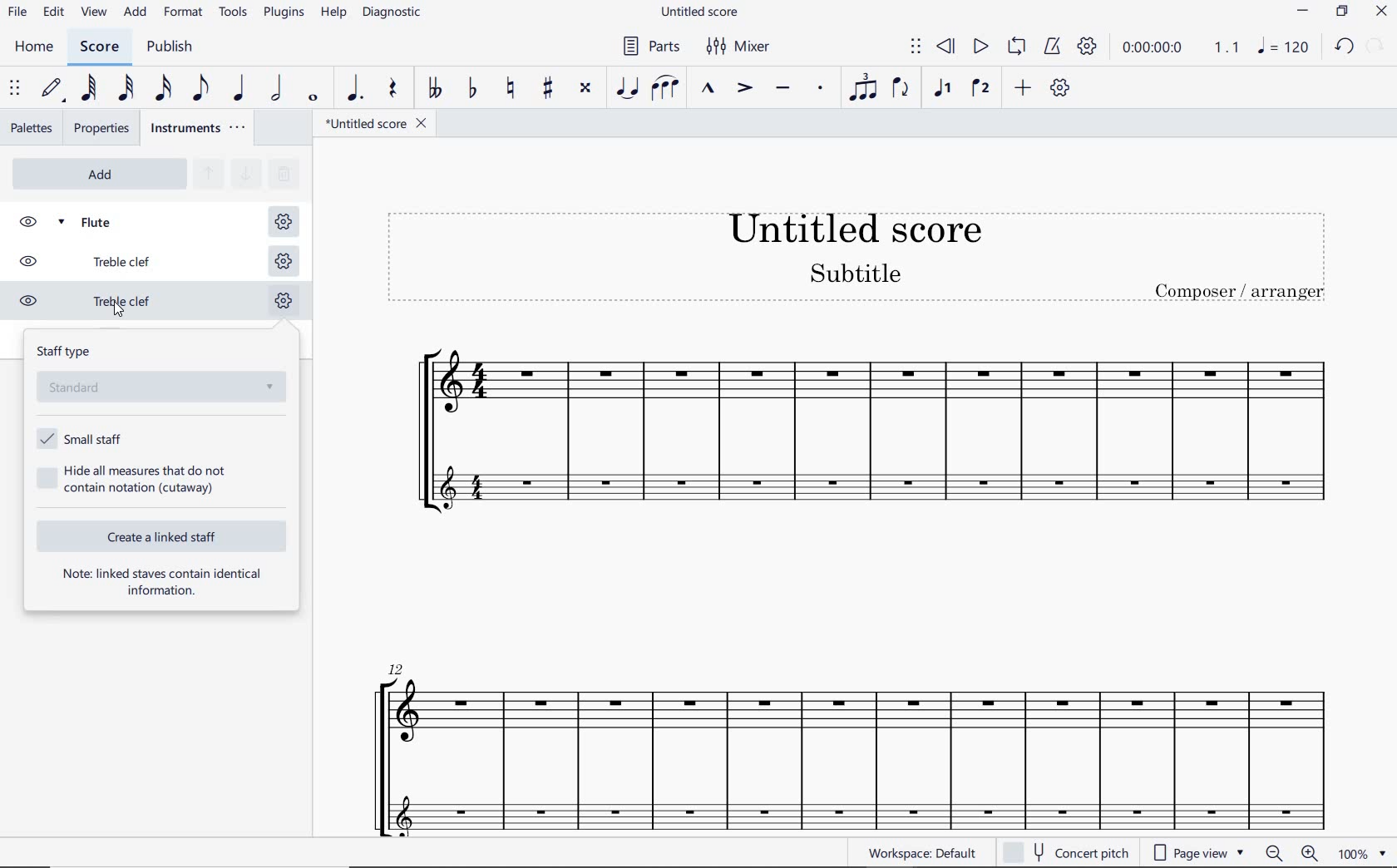 Image resolution: width=1397 pixels, height=868 pixels. What do you see at coordinates (846, 720) in the screenshot?
I see `flute instrument` at bounding box center [846, 720].